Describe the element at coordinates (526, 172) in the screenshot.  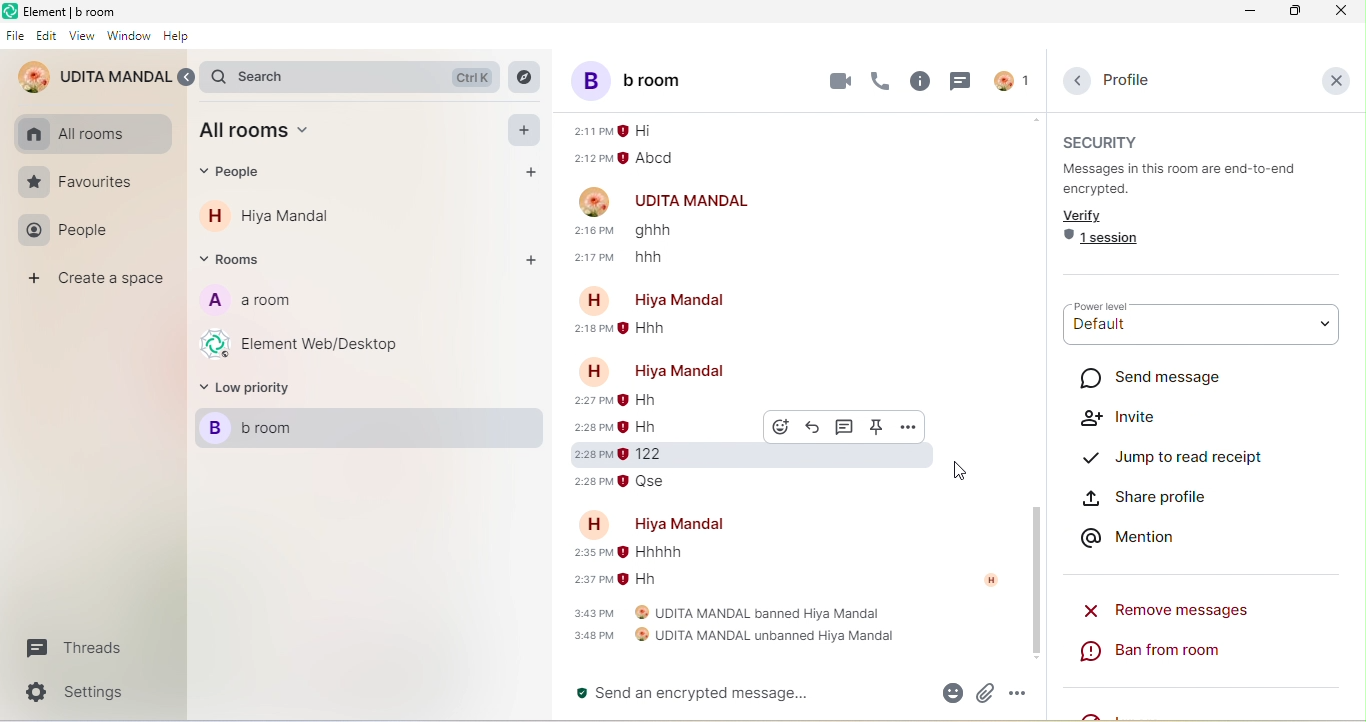
I see `add people` at that location.